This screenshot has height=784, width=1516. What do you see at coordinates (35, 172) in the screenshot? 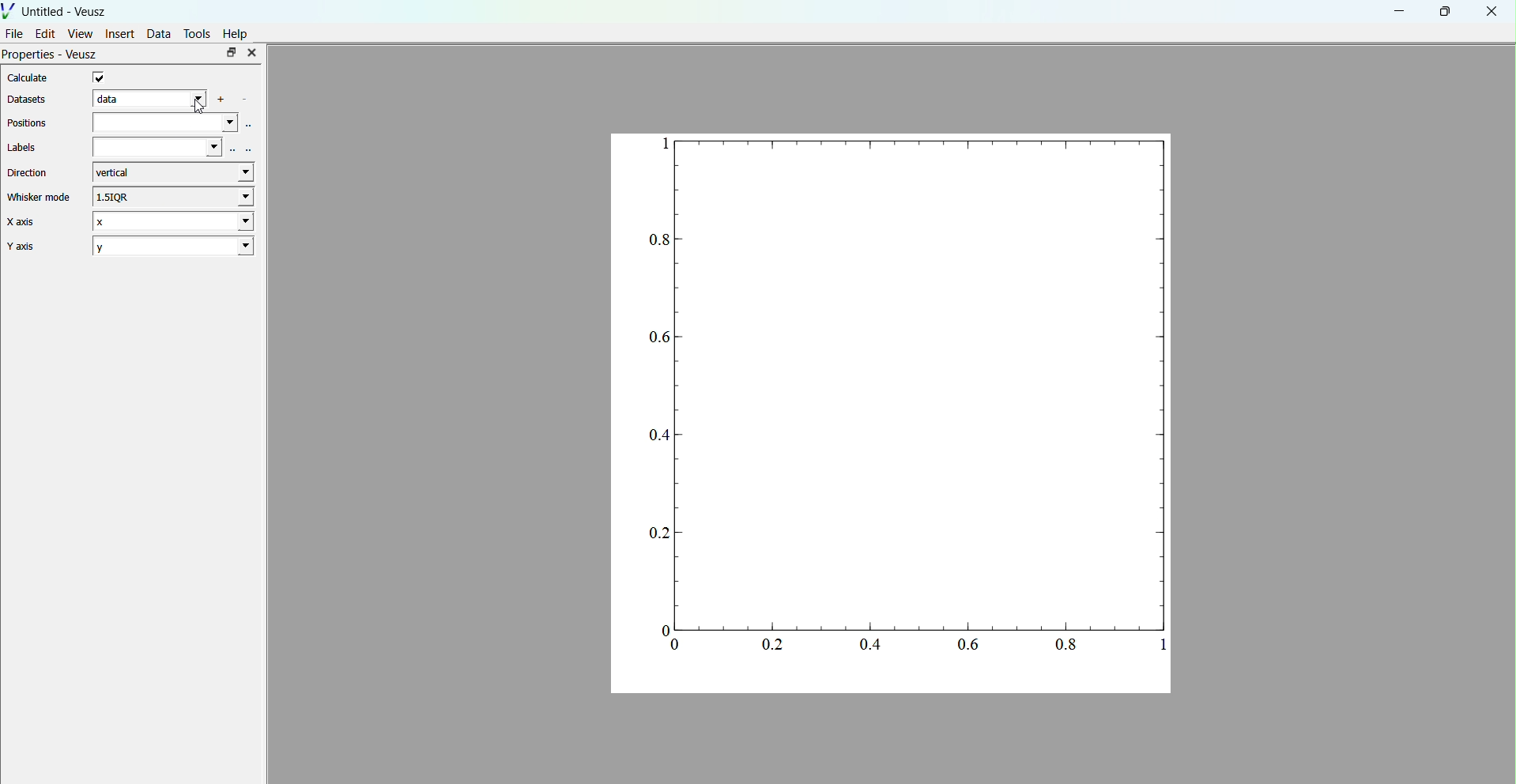
I see `Direction` at bounding box center [35, 172].